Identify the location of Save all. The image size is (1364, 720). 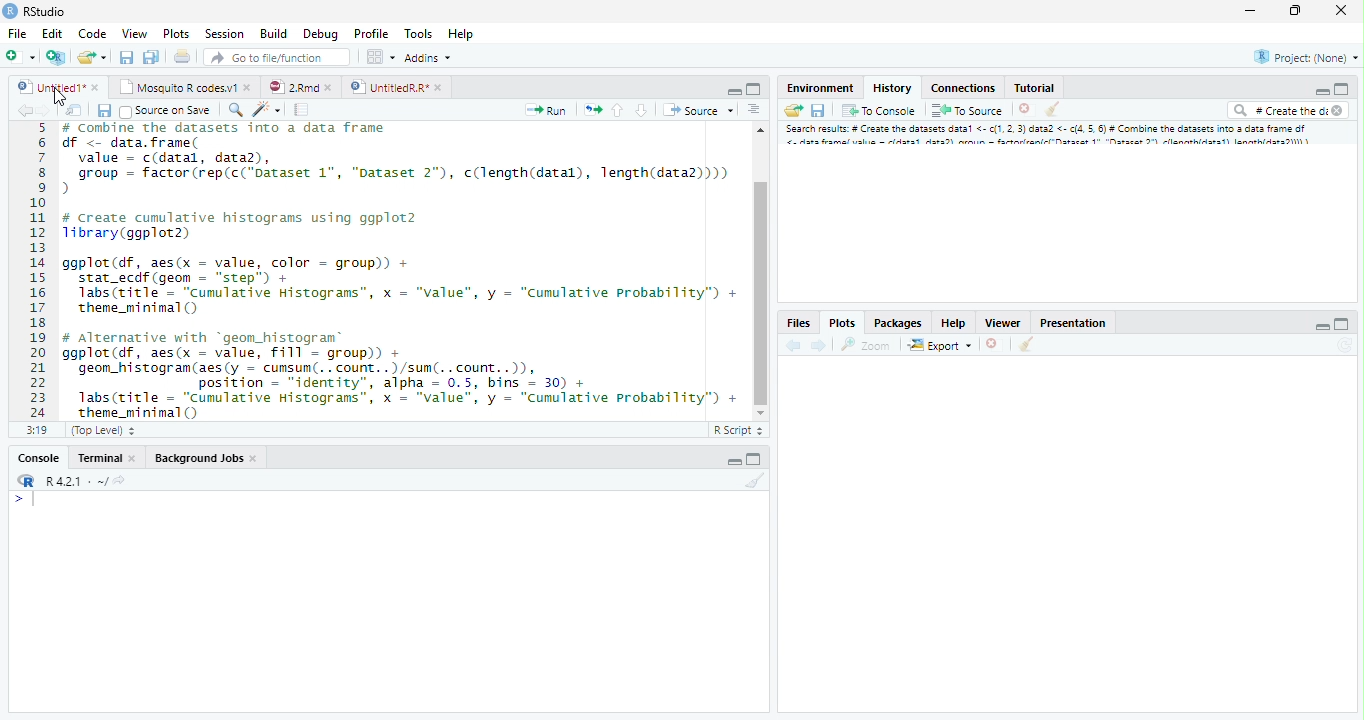
(151, 57).